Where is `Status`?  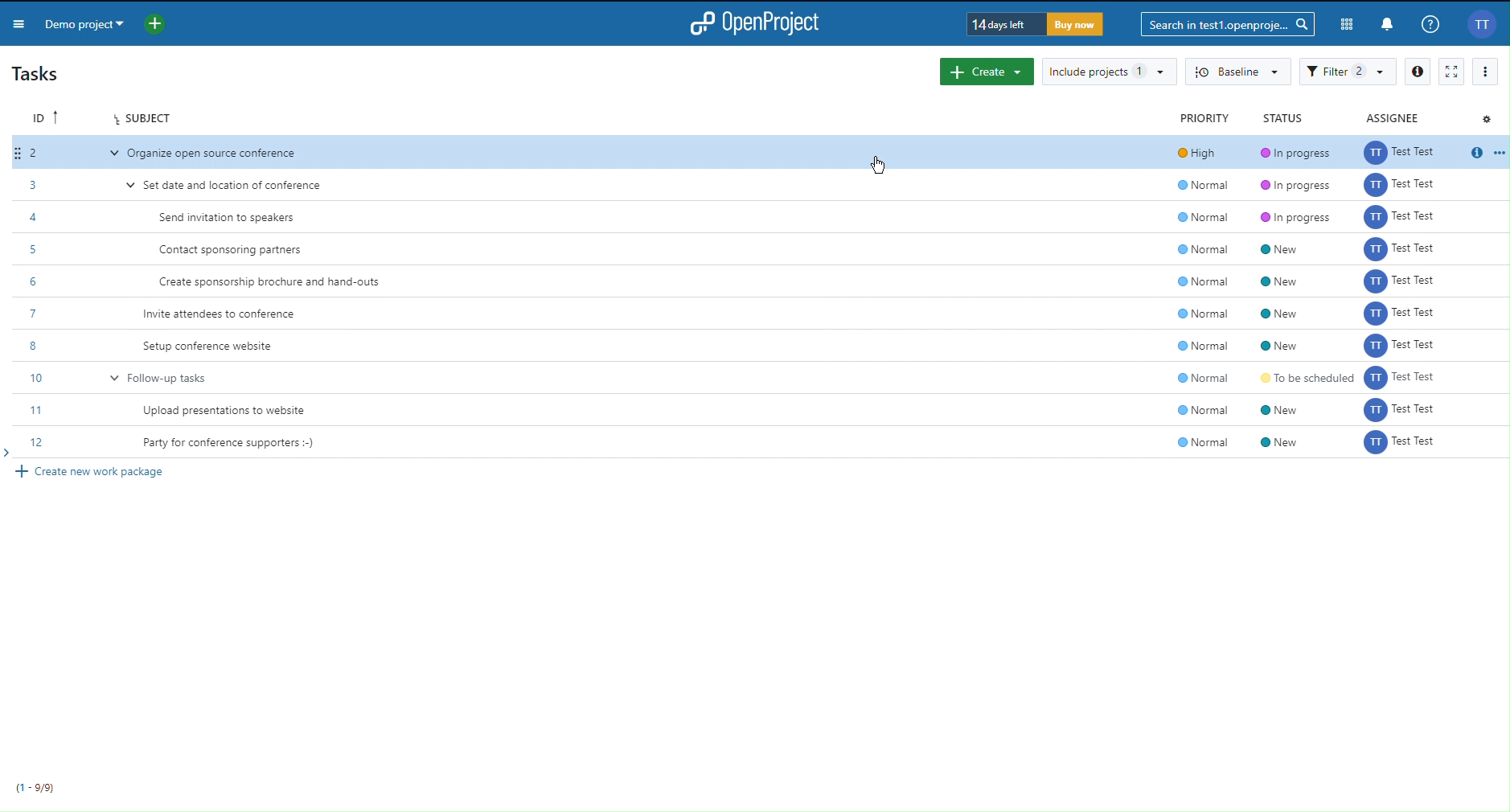 Status is located at coordinates (1280, 118).